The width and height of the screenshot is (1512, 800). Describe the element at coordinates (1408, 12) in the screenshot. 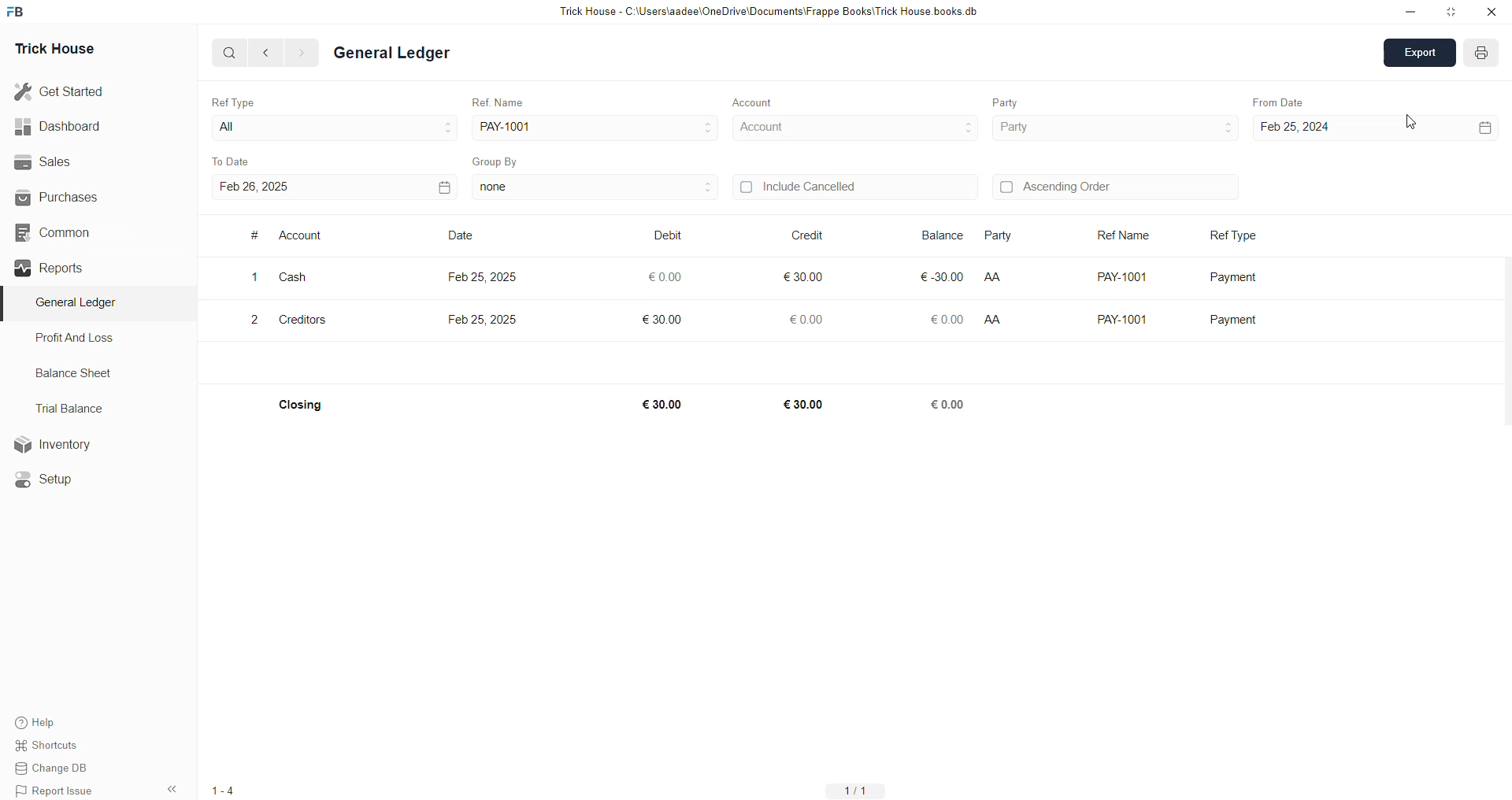

I see `minimise down` at that location.